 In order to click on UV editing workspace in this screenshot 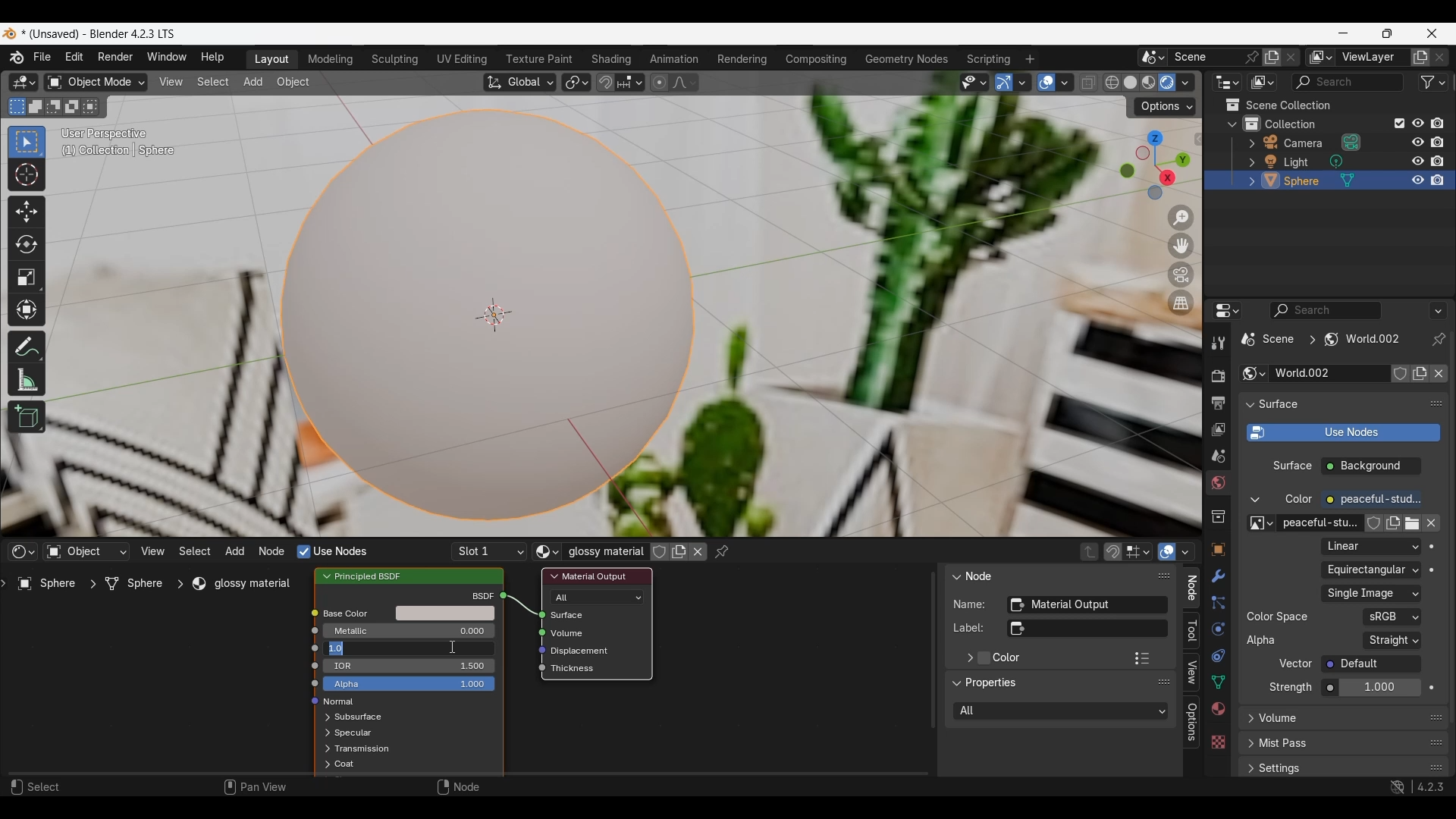, I will do `click(460, 59)`.